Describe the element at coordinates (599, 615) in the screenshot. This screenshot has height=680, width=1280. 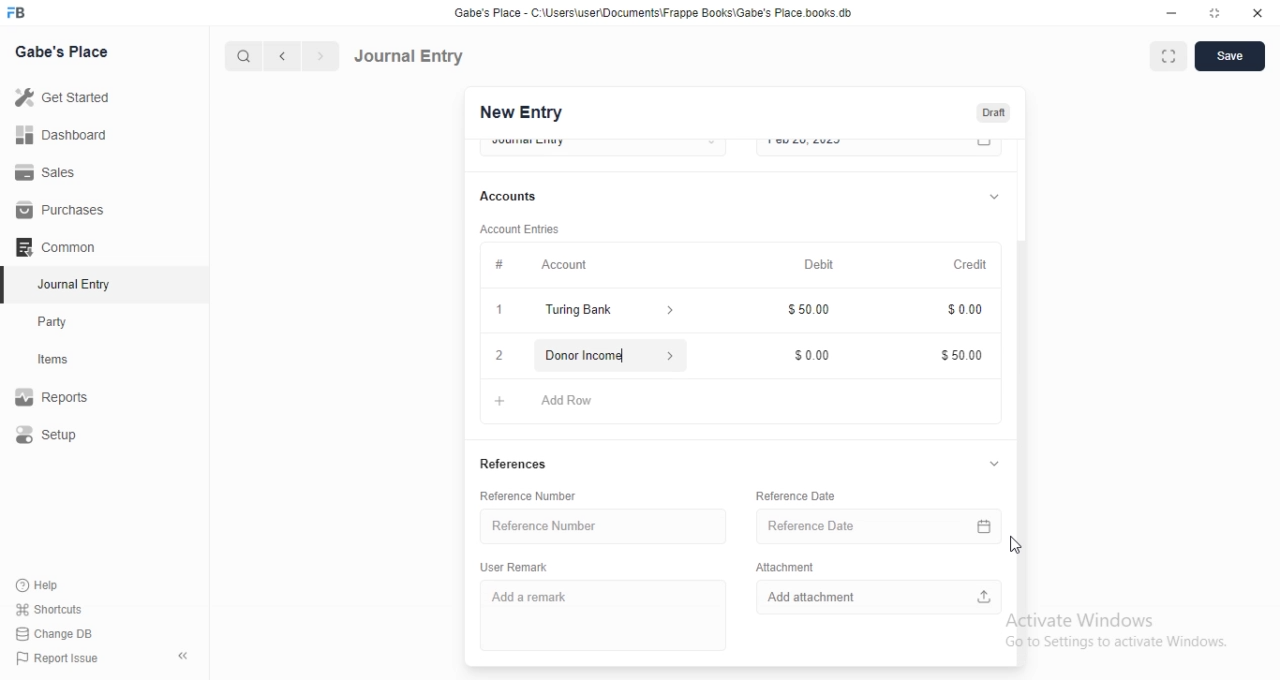
I see `Add a remark` at that location.